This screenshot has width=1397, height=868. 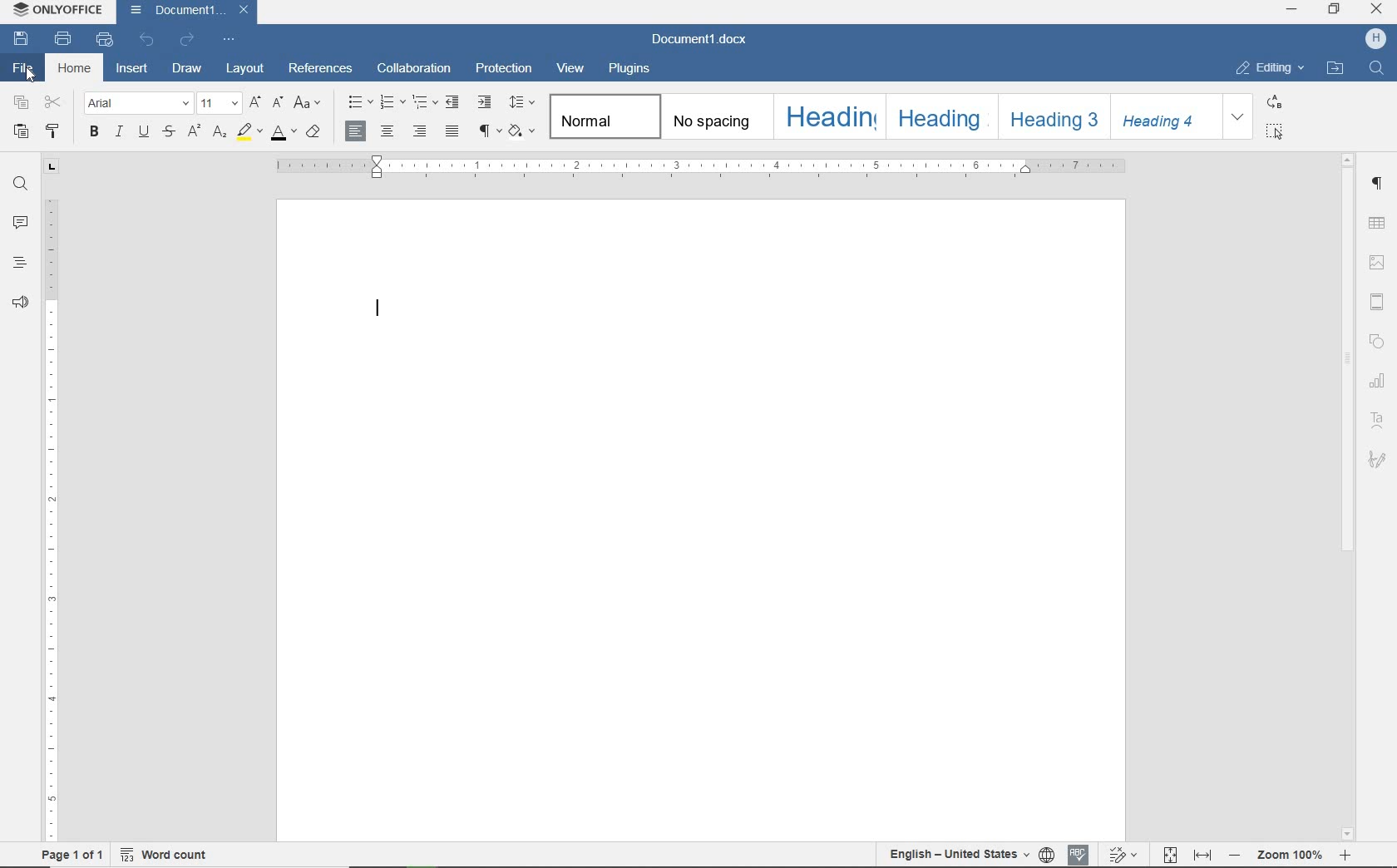 What do you see at coordinates (1292, 856) in the screenshot?
I see `zoom out or zoom in` at bounding box center [1292, 856].